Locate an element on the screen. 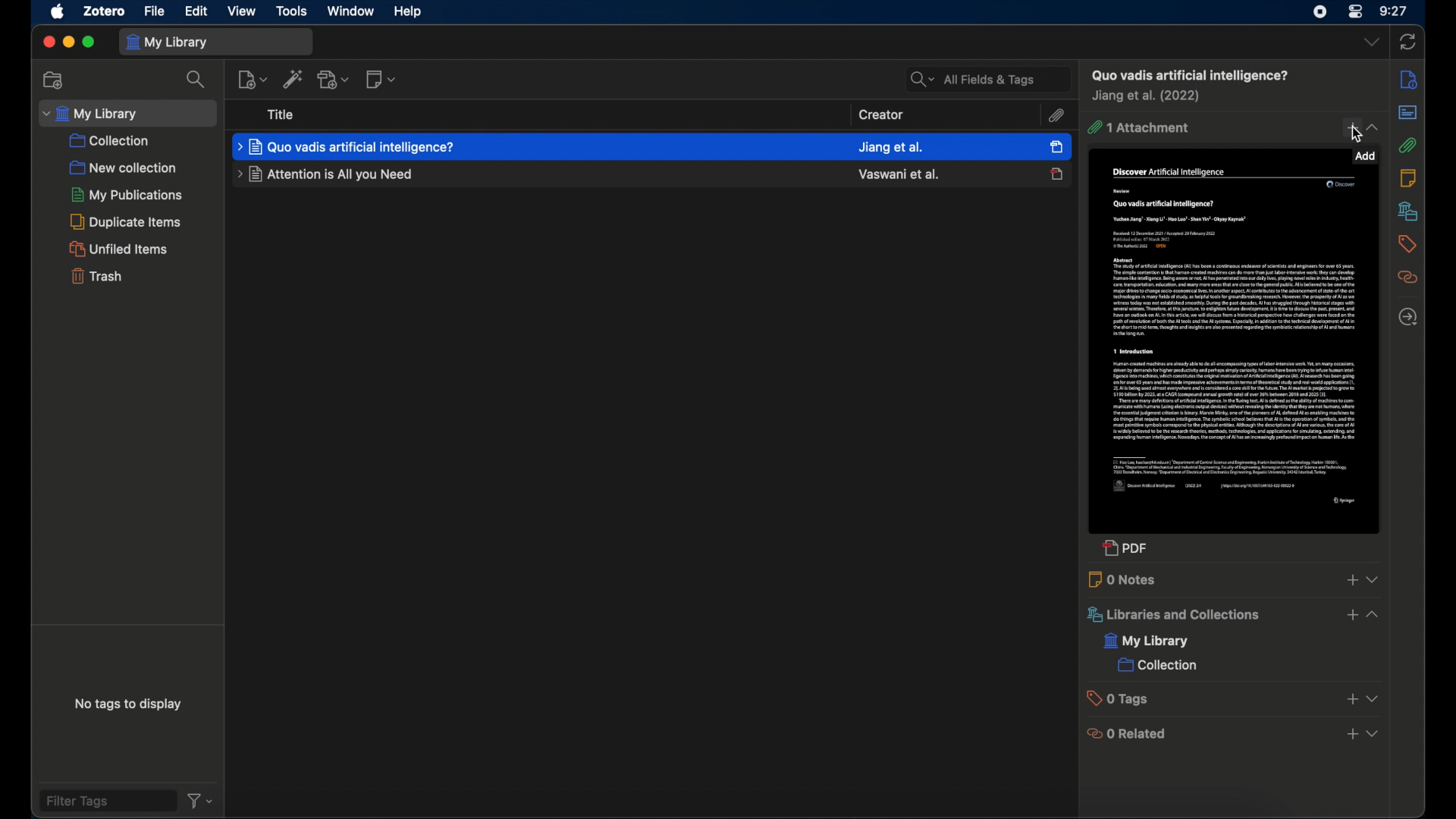 The image size is (1456, 819). creator is located at coordinates (883, 115).